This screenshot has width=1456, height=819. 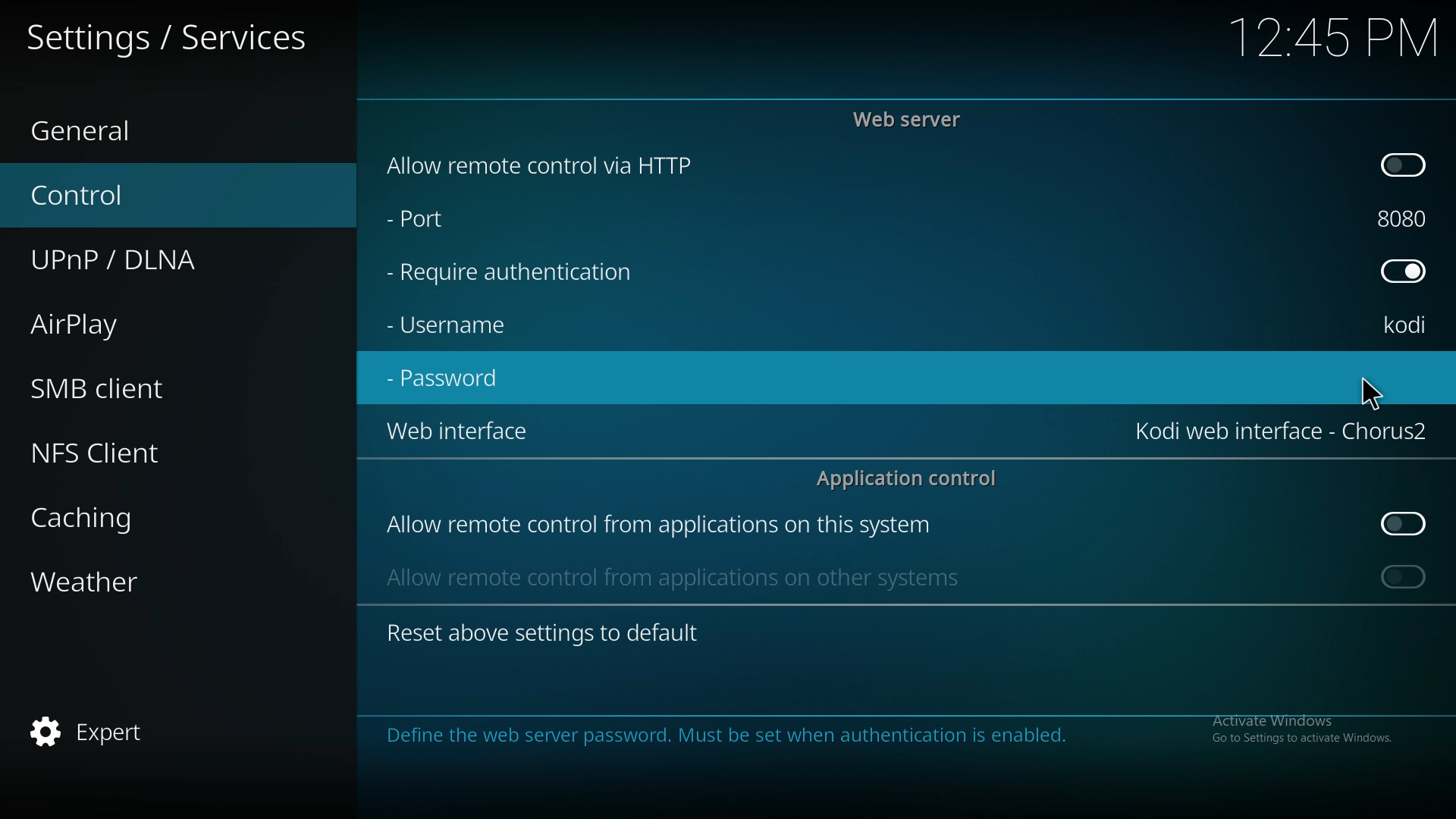 What do you see at coordinates (542, 632) in the screenshot?
I see `reset above settings to default` at bounding box center [542, 632].